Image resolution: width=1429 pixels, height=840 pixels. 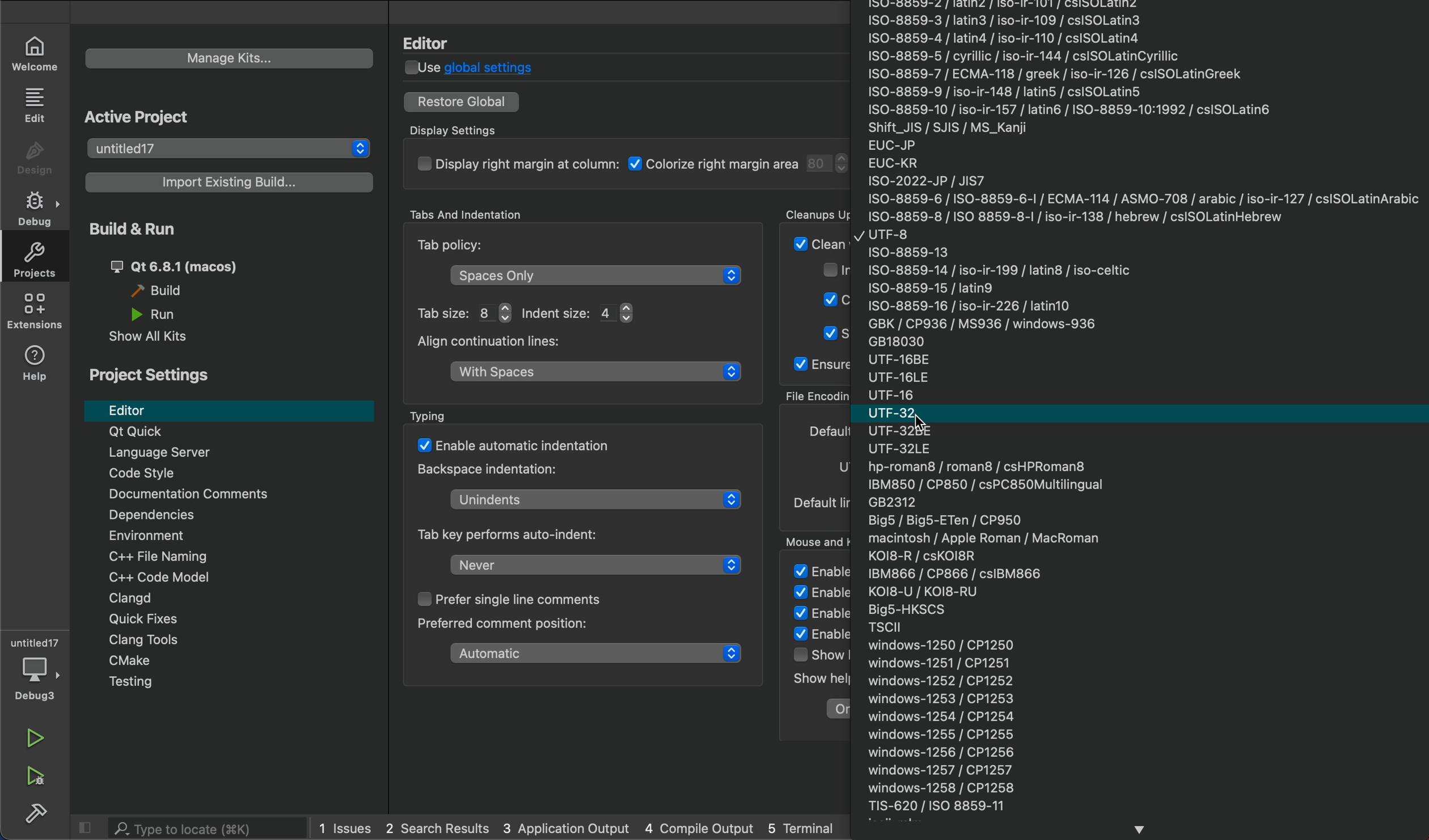 I want to click on , so click(x=166, y=316).